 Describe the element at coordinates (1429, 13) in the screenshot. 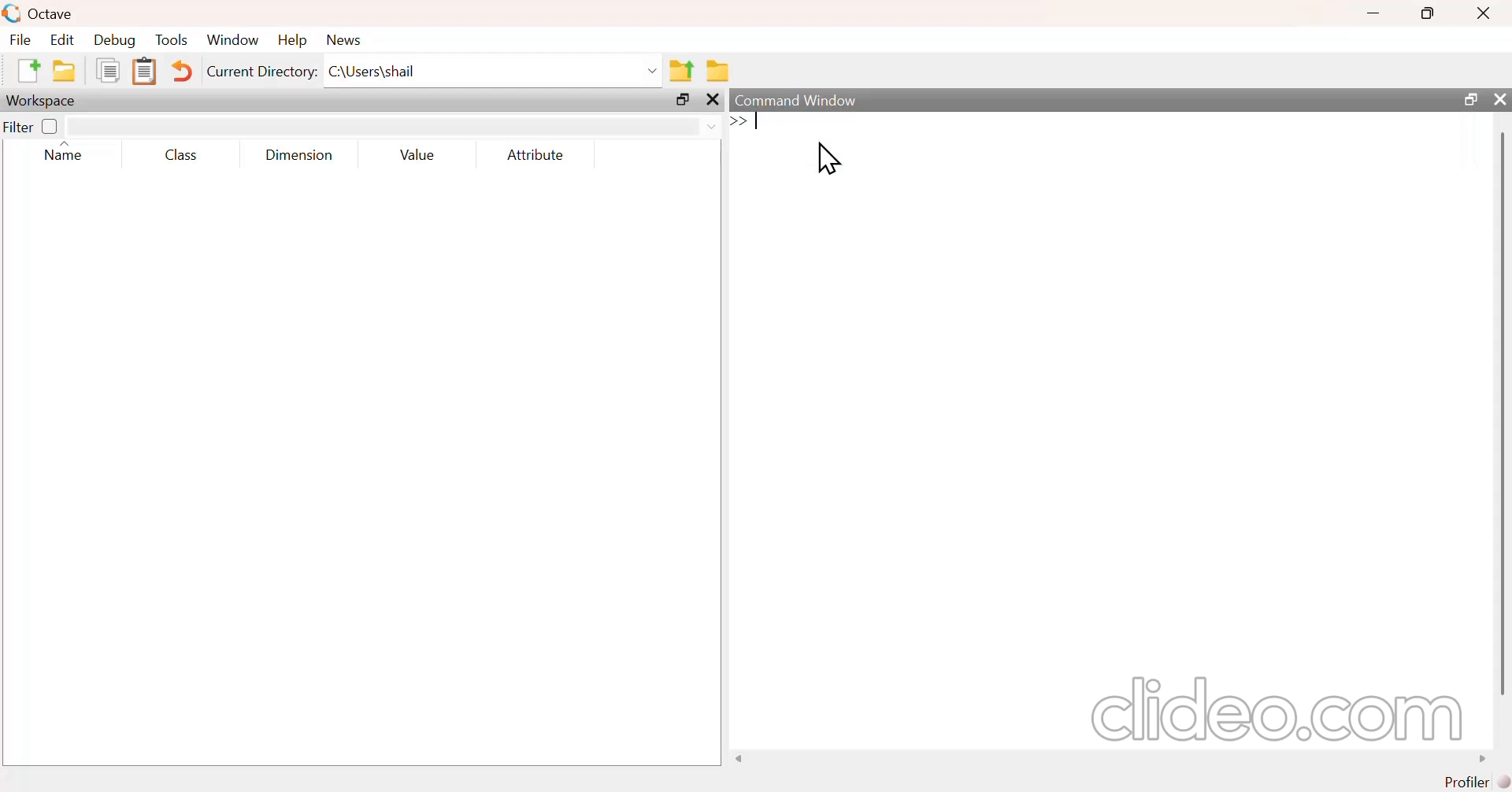

I see `maximize` at that location.